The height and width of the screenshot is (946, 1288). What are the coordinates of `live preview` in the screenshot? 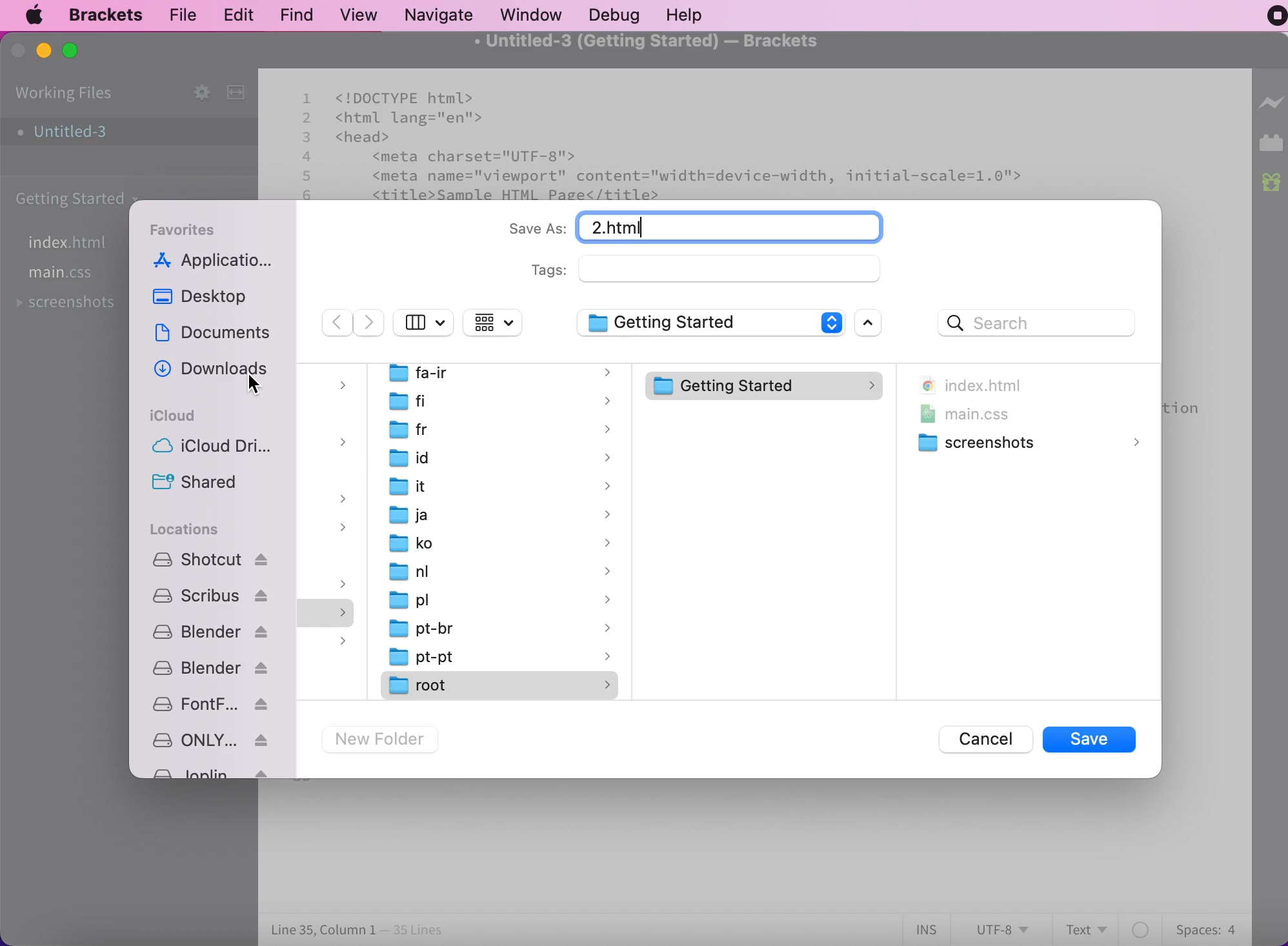 It's located at (1269, 103).